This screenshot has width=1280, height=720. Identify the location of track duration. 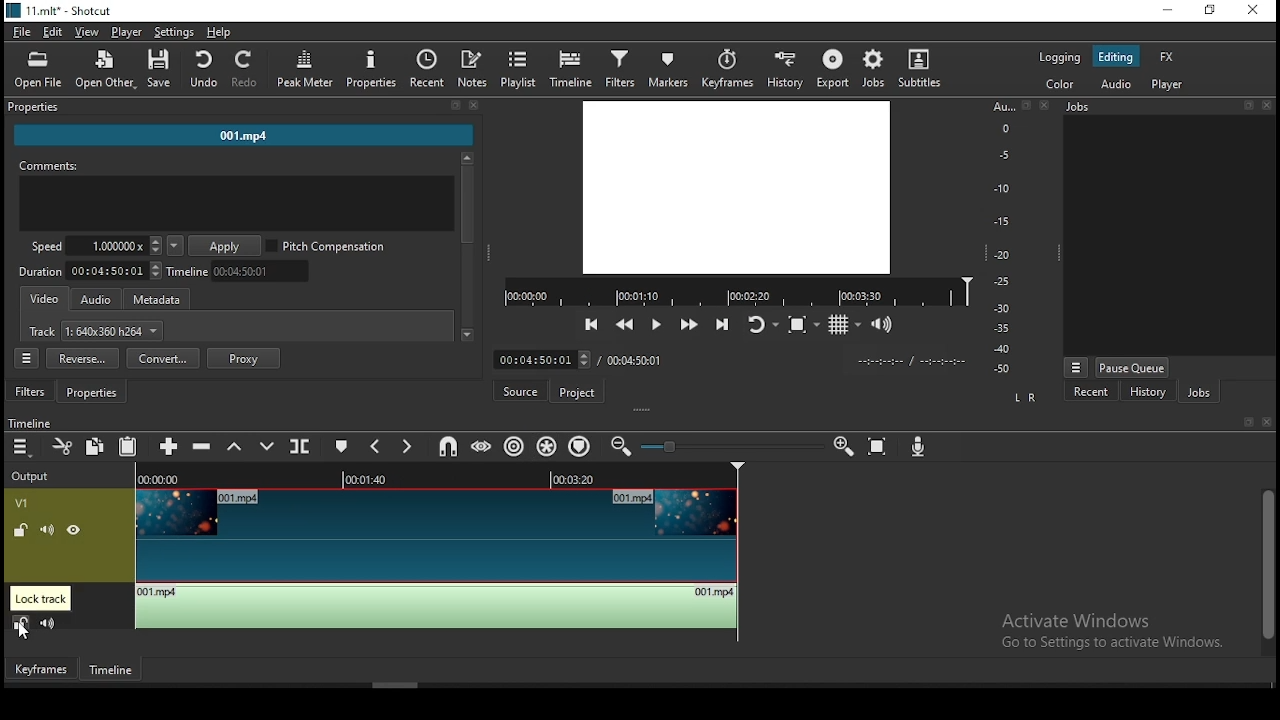
(91, 272).